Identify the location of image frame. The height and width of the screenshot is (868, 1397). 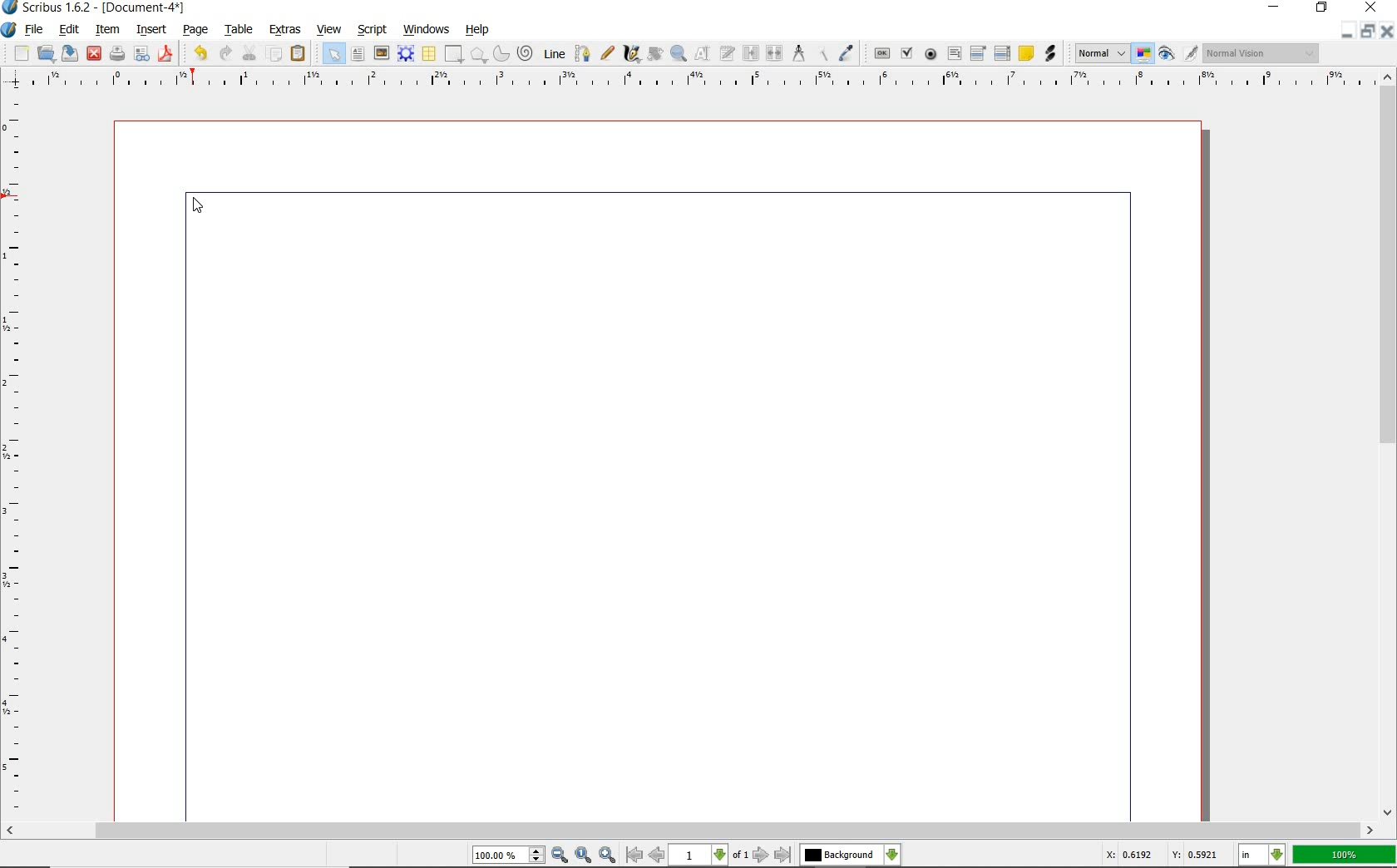
(382, 55).